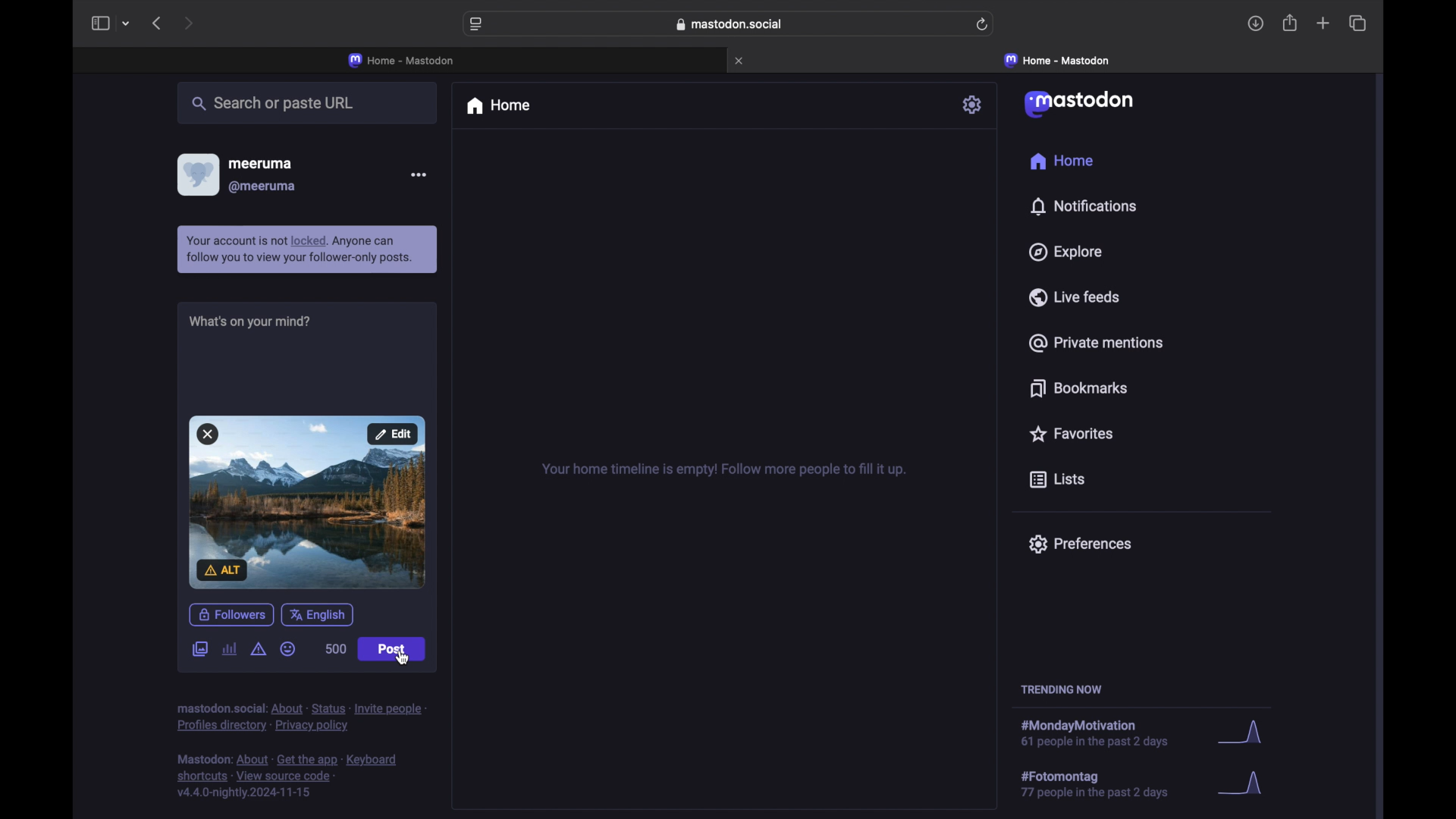  I want to click on website  settings, so click(477, 25).